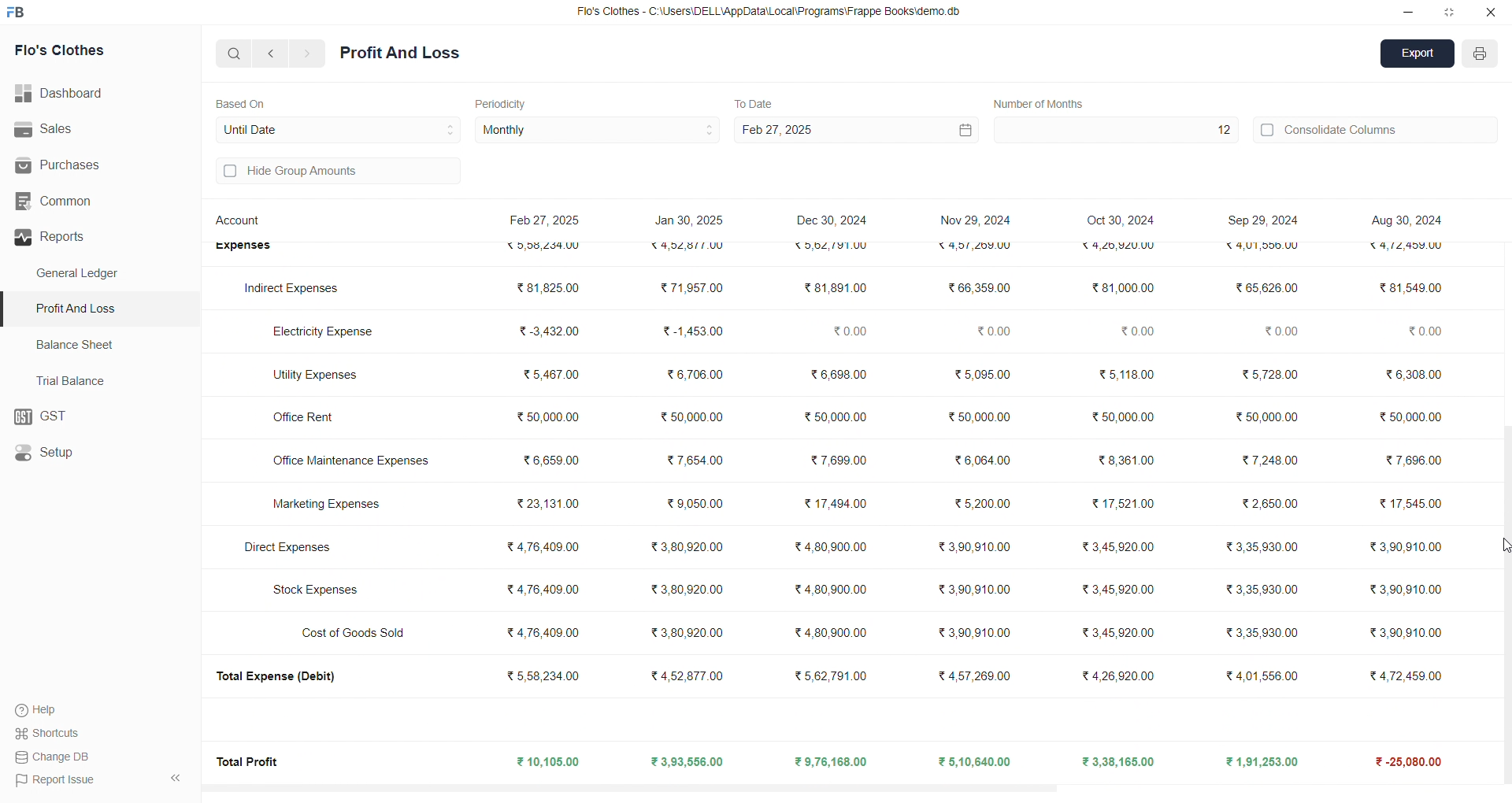 This screenshot has width=1512, height=803. I want to click on Direct Expenses, so click(284, 546).